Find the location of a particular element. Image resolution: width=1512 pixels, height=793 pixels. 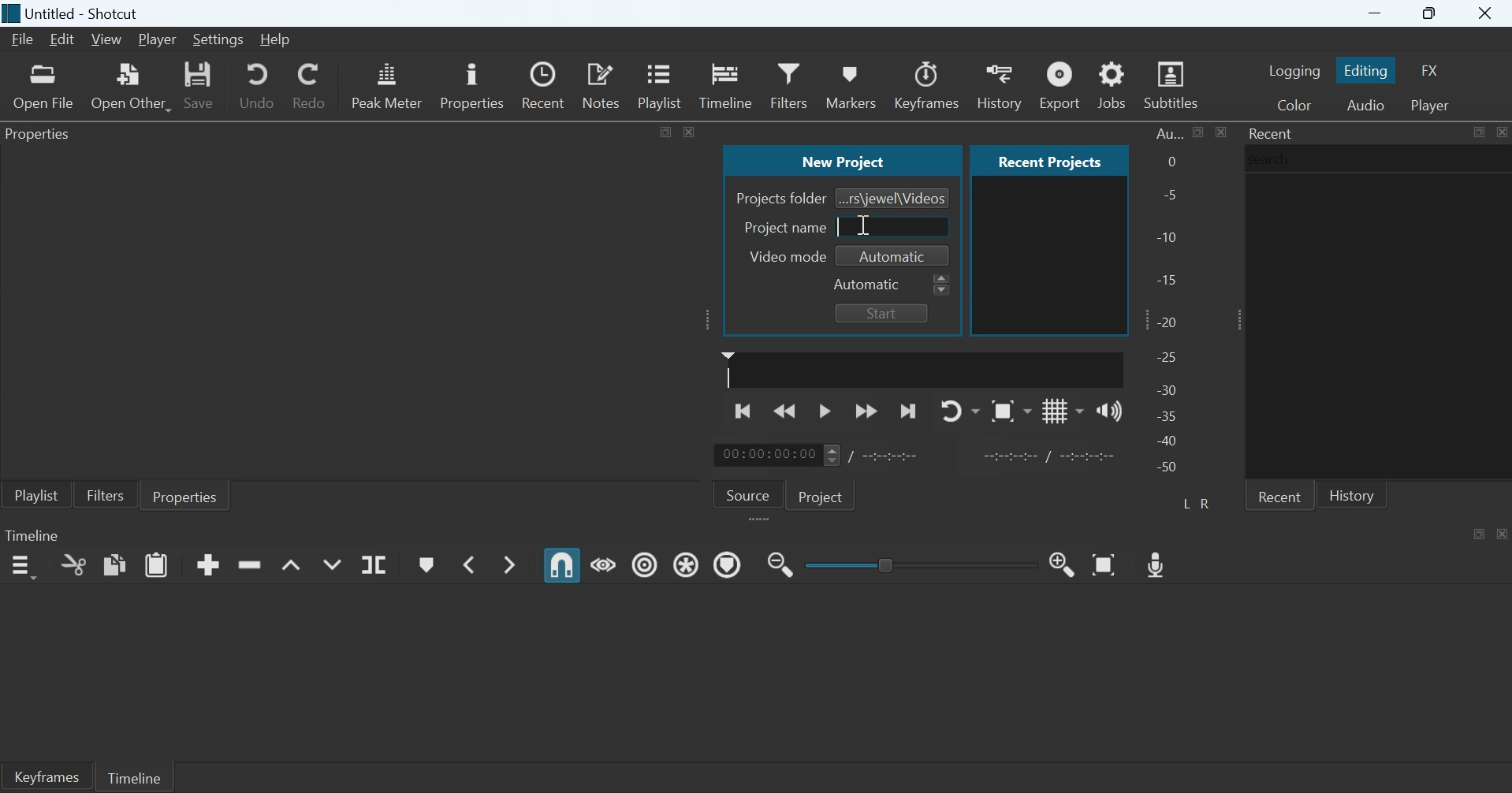

Export is located at coordinates (1058, 84).